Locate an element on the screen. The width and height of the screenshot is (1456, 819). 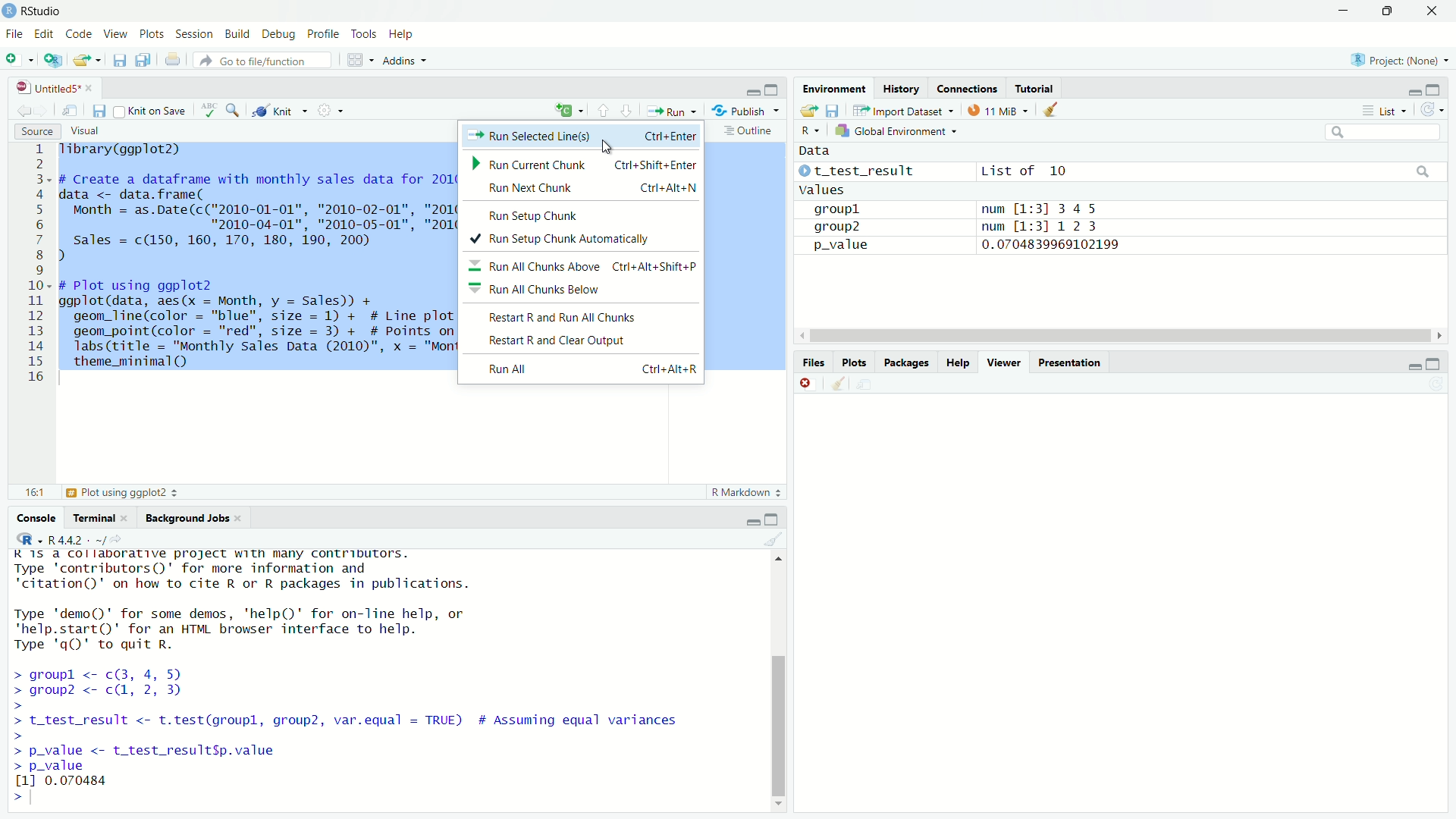
Environment is located at coordinates (830, 86).